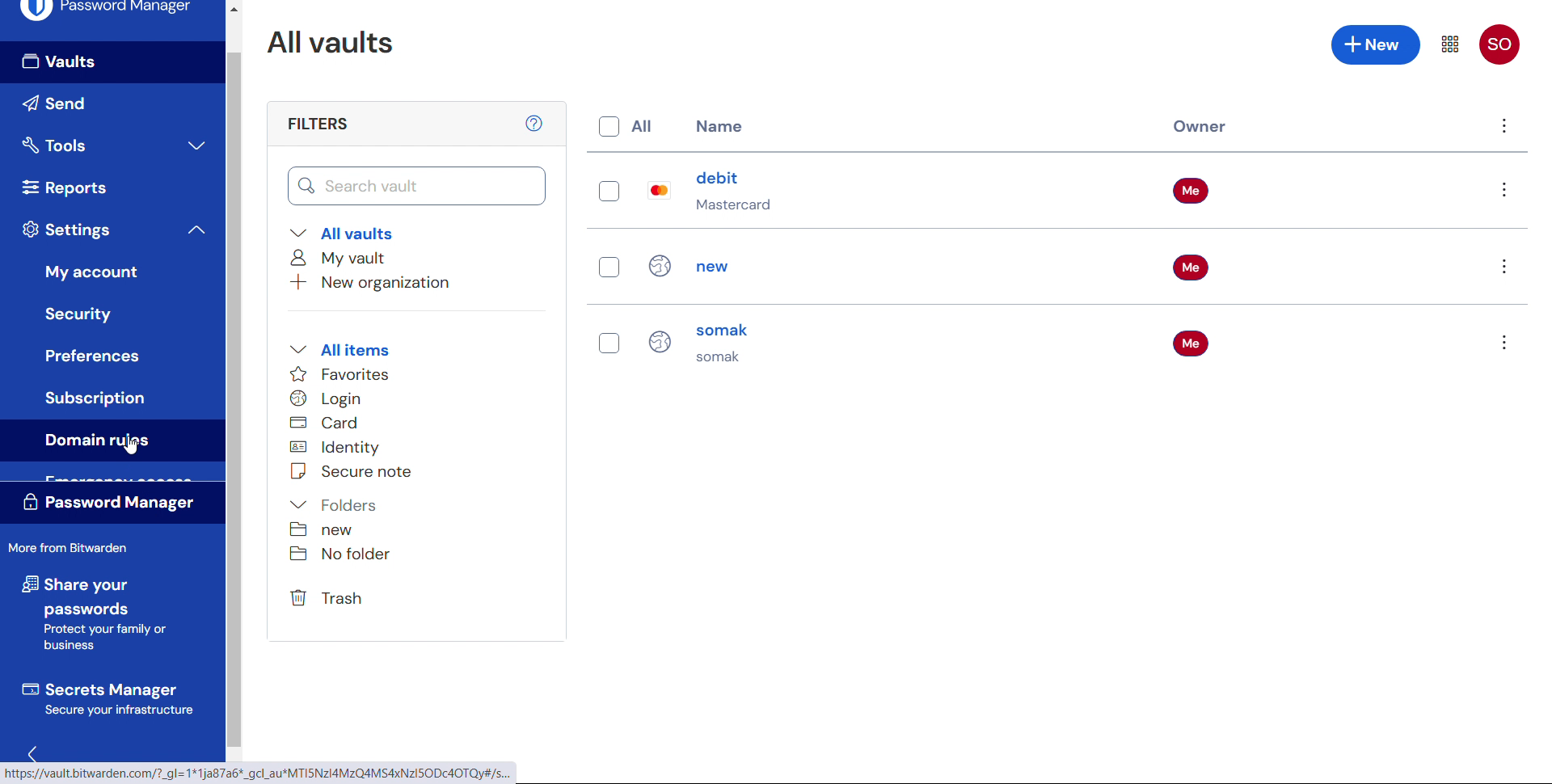 This screenshot has height=784, width=1552. I want to click on My vault , so click(339, 257).